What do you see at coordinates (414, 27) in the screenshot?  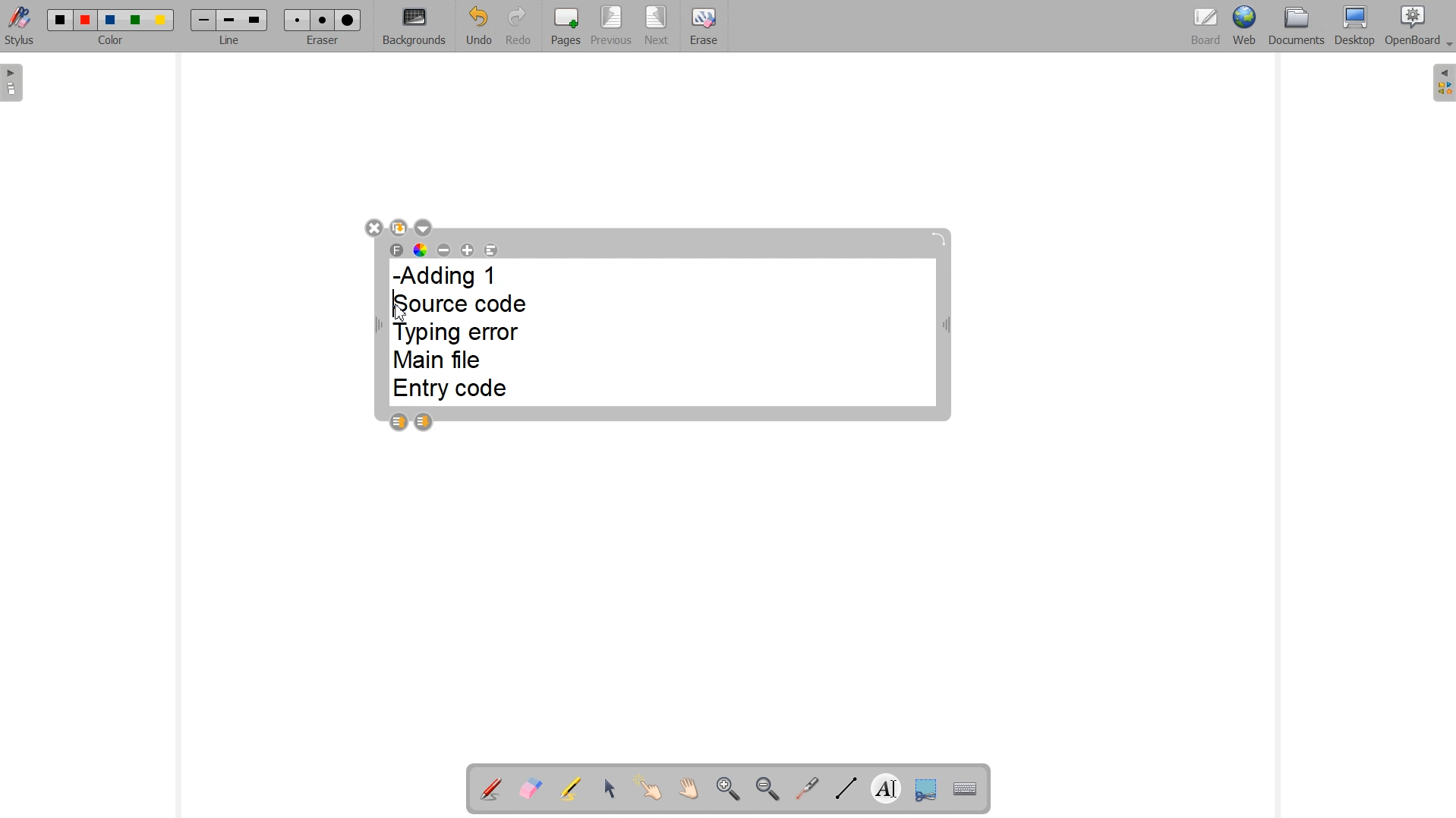 I see `Backgrounds` at bounding box center [414, 27].